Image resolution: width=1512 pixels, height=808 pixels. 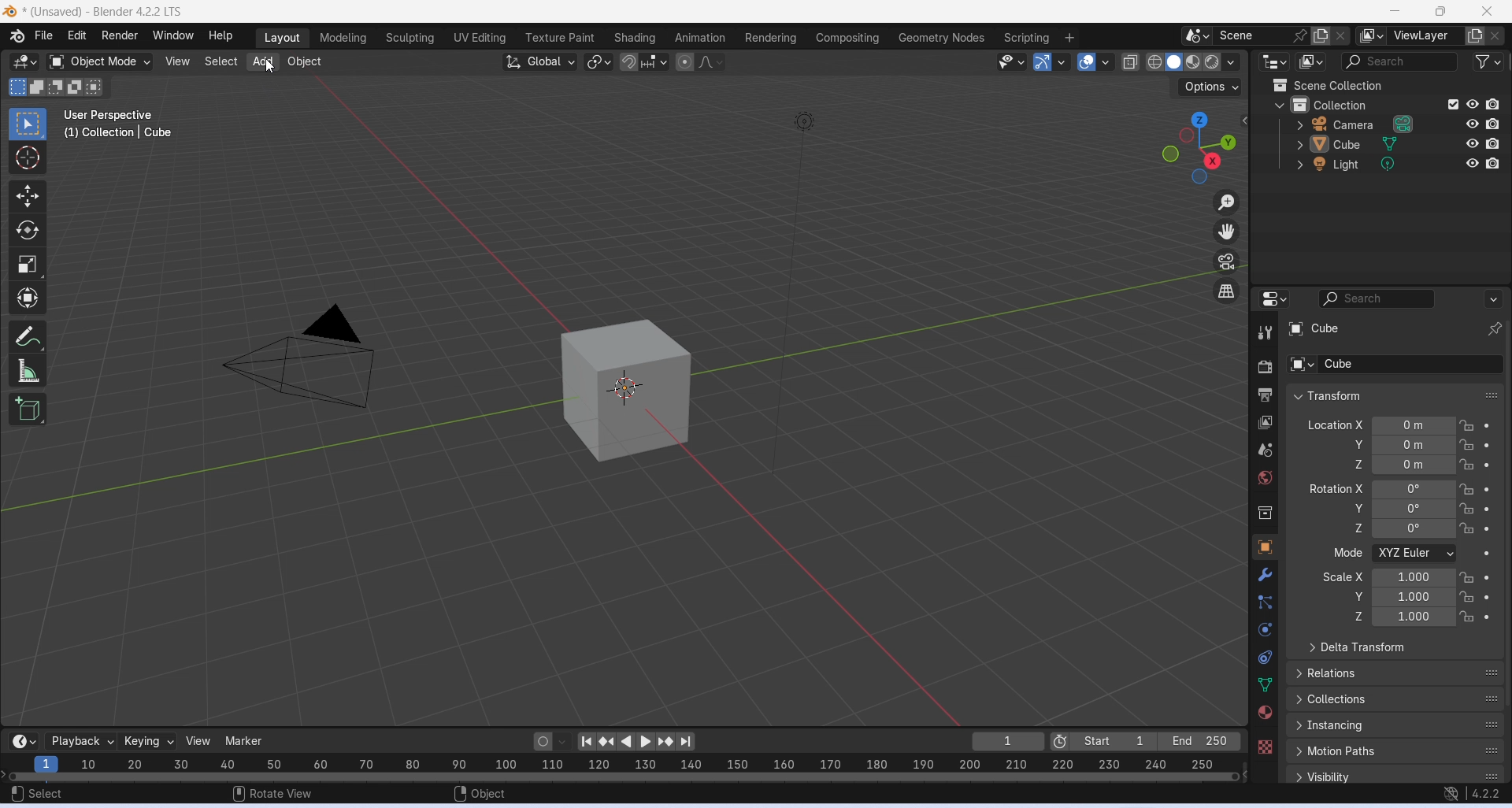 What do you see at coordinates (628, 63) in the screenshot?
I see `snap` at bounding box center [628, 63].